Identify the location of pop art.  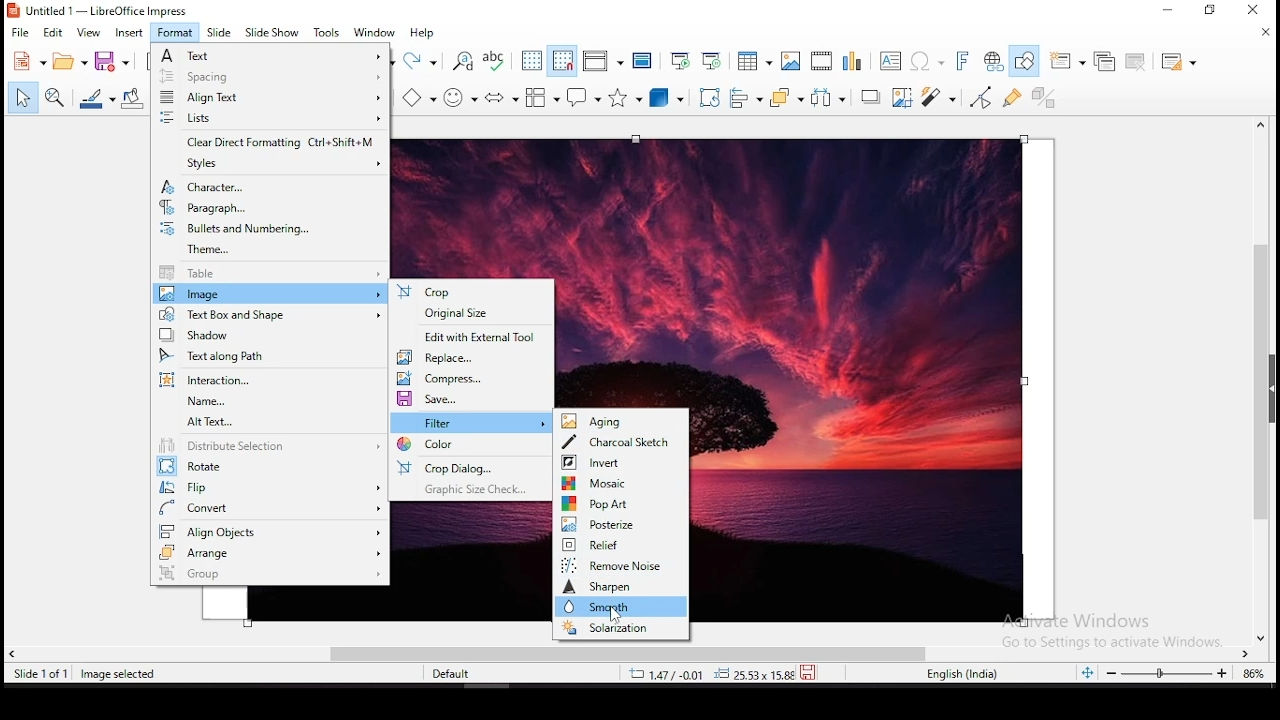
(622, 503).